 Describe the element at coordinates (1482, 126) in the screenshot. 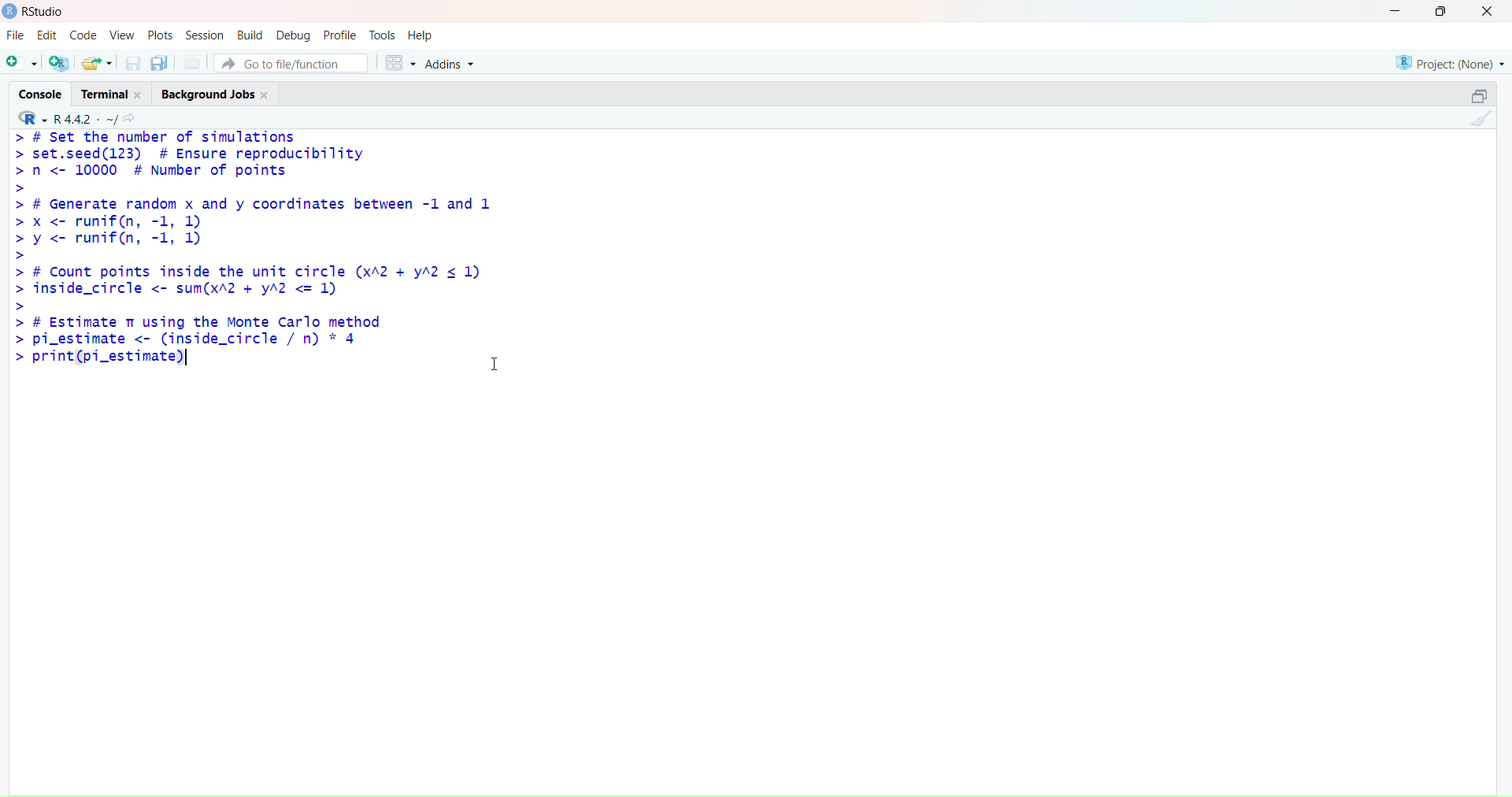

I see `Clear Console (Ctrl + L)` at that location.